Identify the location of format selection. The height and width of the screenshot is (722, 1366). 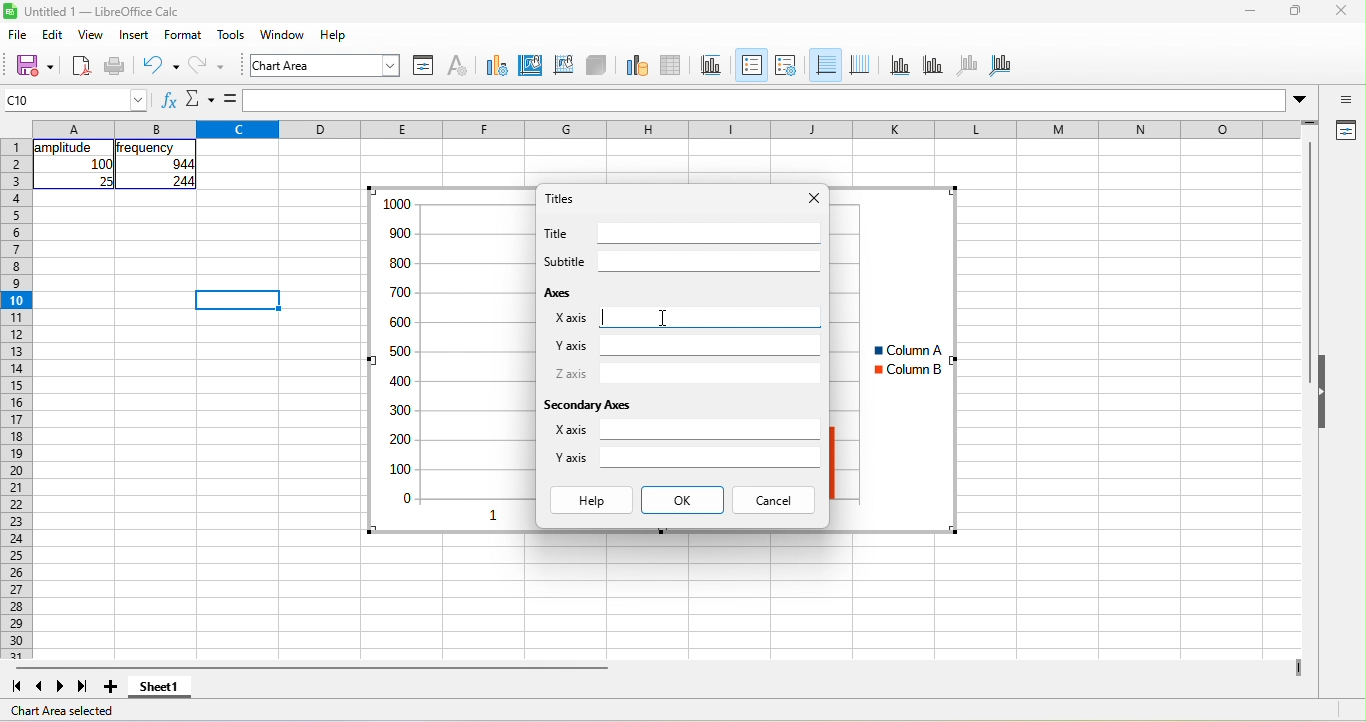
(424, 66).